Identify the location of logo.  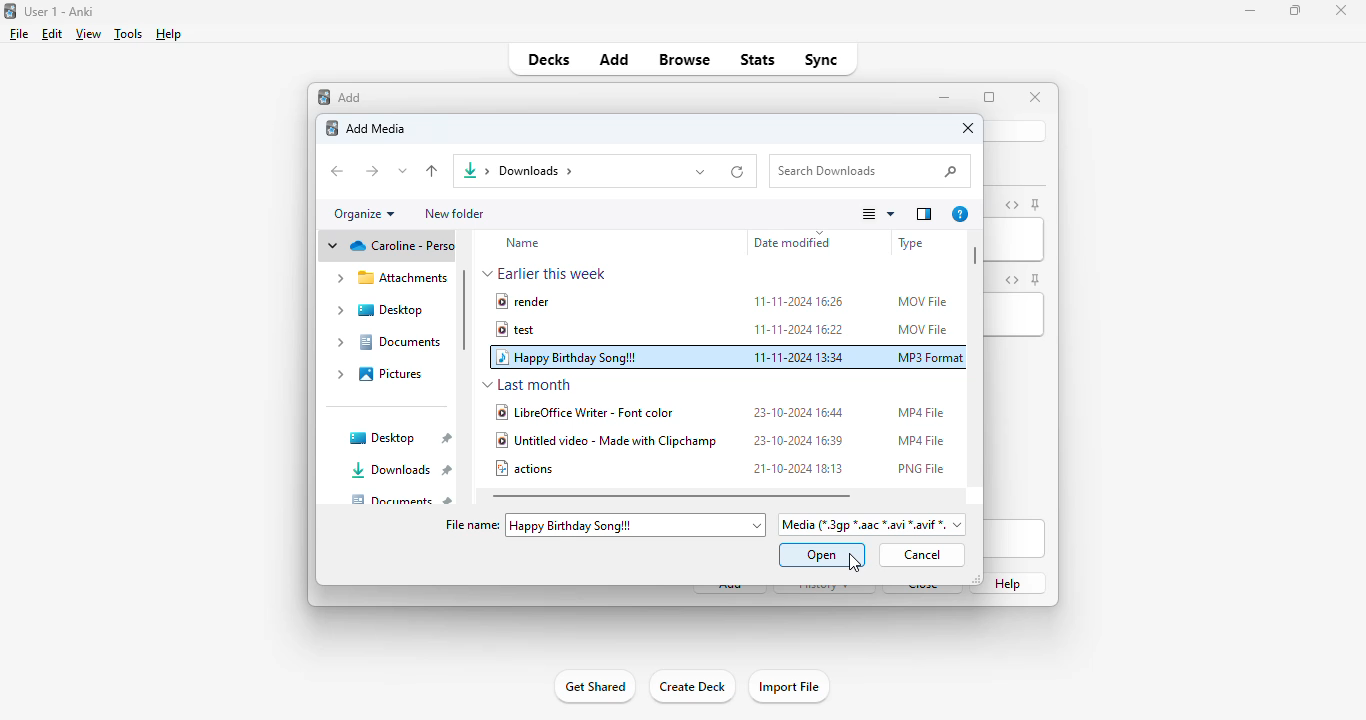
(9, 11).